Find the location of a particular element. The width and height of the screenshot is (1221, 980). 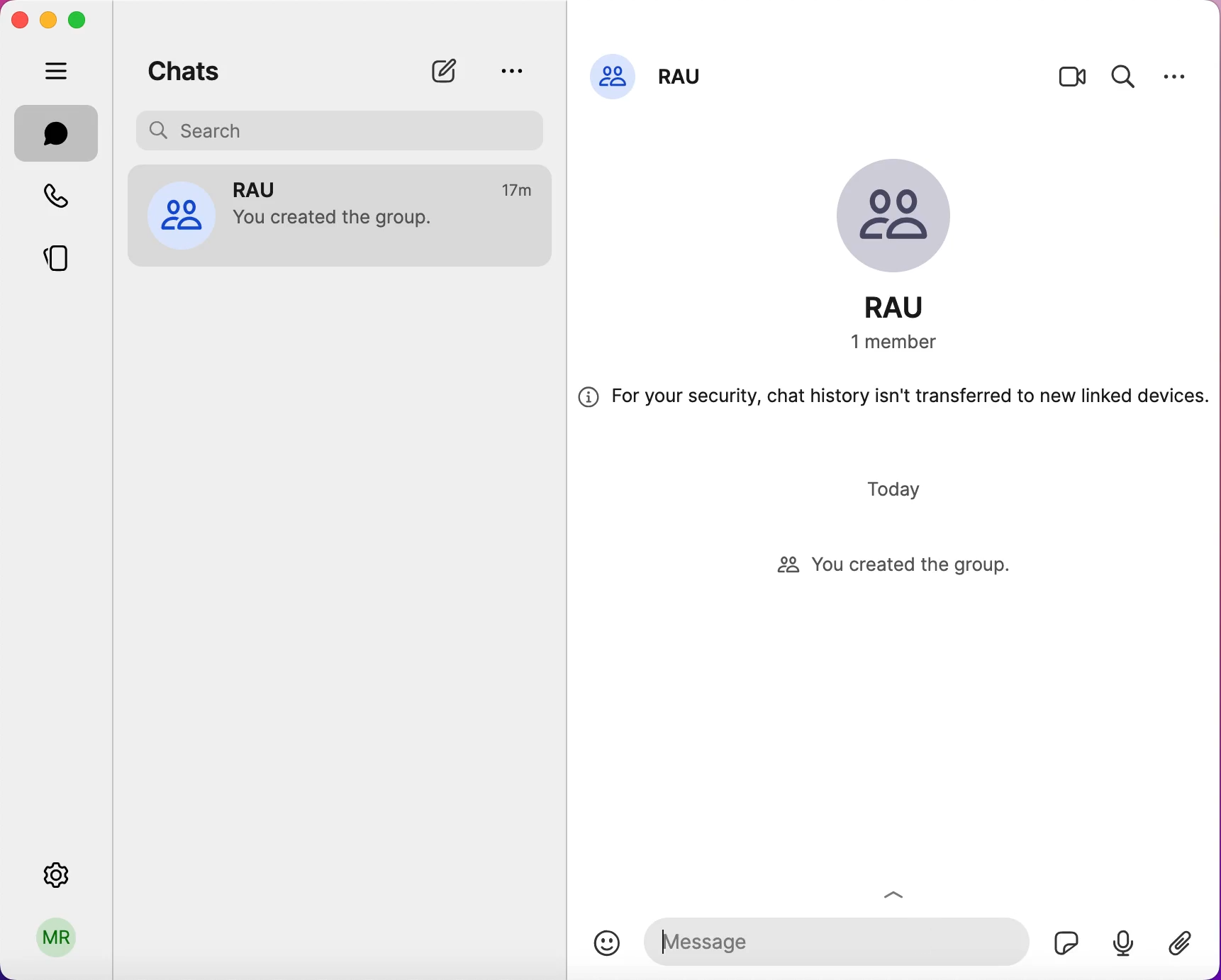

sticker is located at coordinates (1061, 939).